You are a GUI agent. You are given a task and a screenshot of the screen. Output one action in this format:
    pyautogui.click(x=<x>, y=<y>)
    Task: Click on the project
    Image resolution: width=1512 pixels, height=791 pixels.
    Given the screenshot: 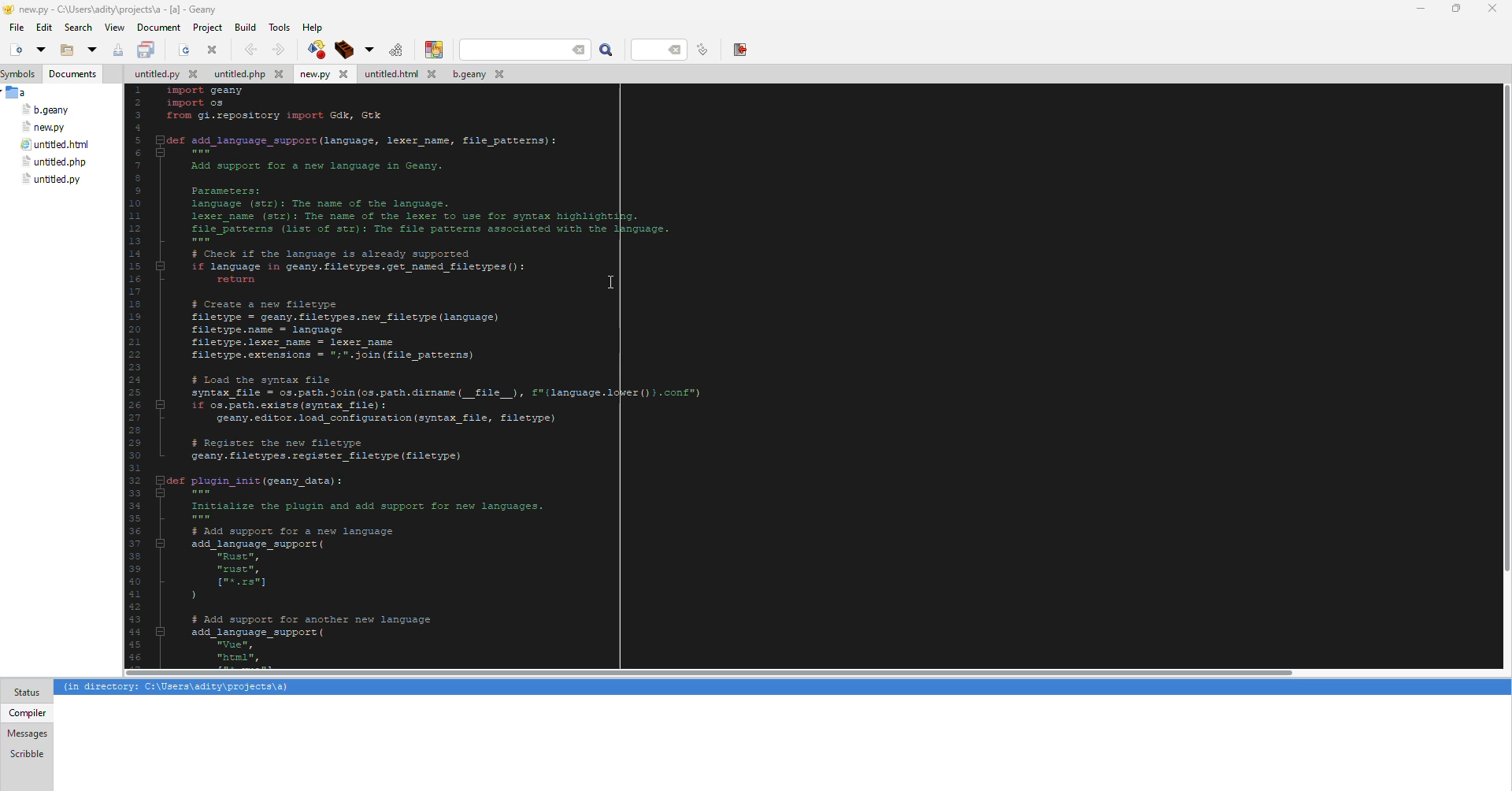 What is the action you would take?
    pyautogui.click(x=207, y=28)
    